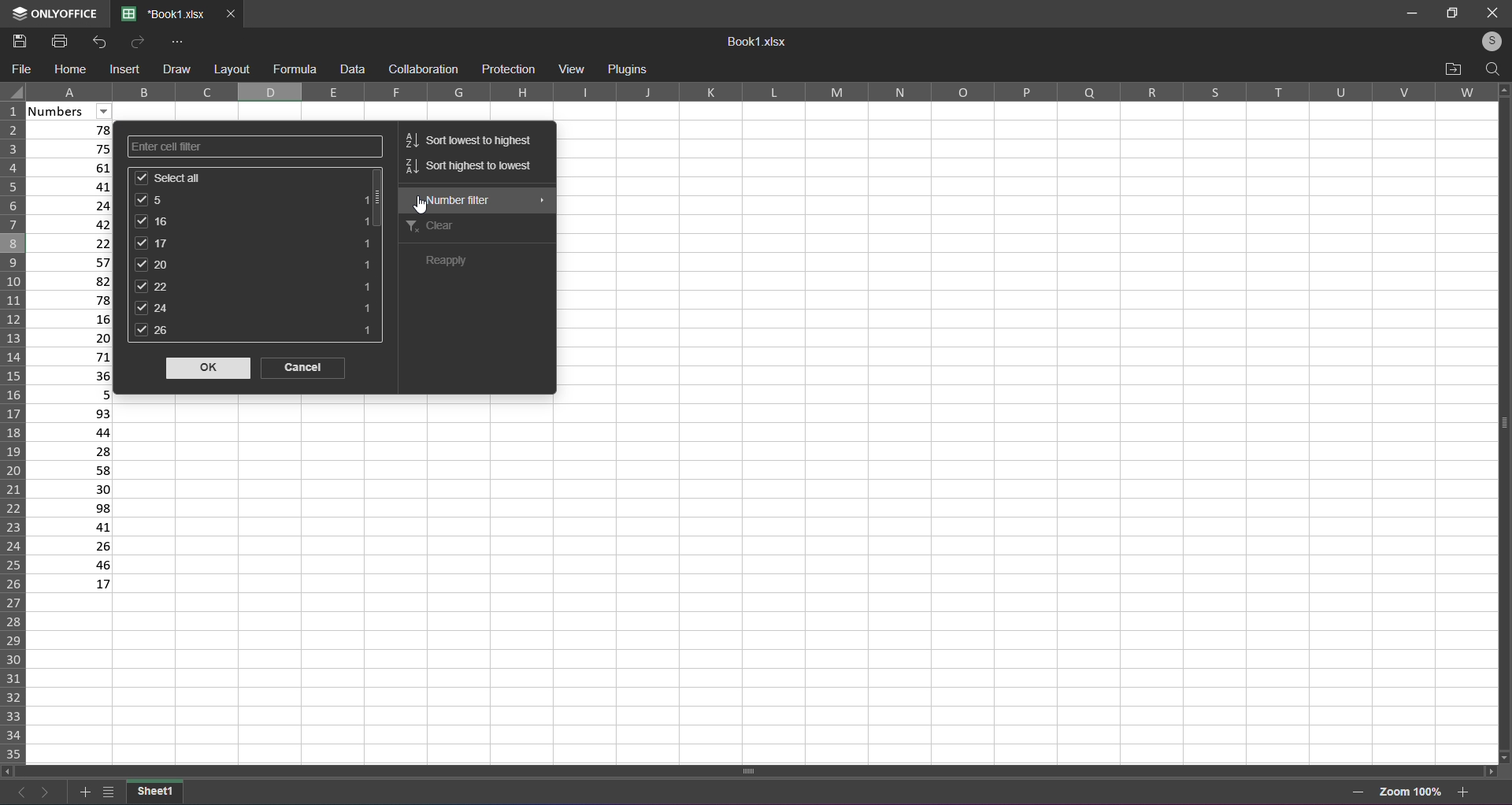 This screenshot has height=805, width=1512. What do you see at coordinates (72, 130) in the screenshot?
I see `78` at bounding box center [72, 130].